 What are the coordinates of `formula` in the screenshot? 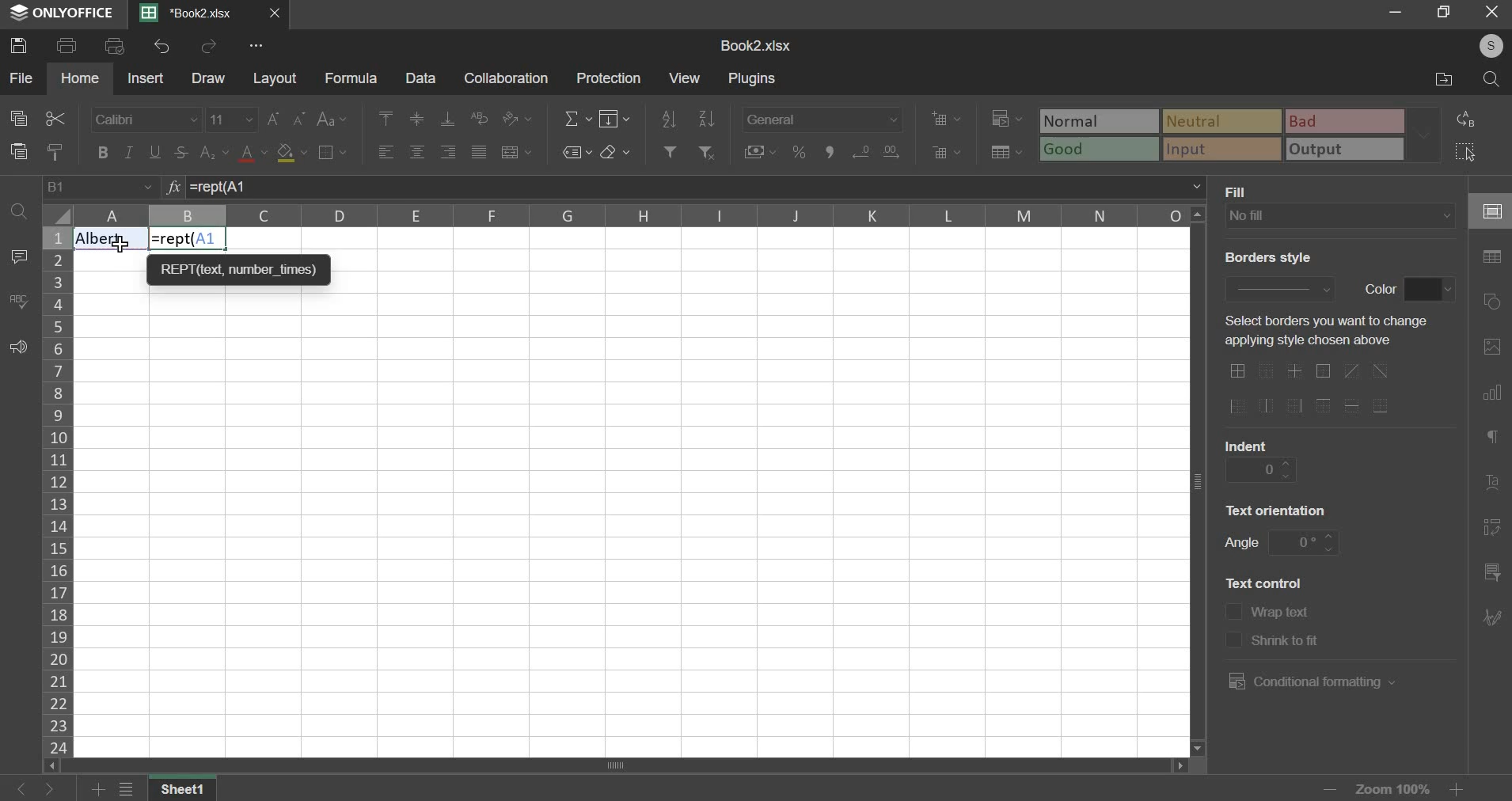 It's located at (352, 78).